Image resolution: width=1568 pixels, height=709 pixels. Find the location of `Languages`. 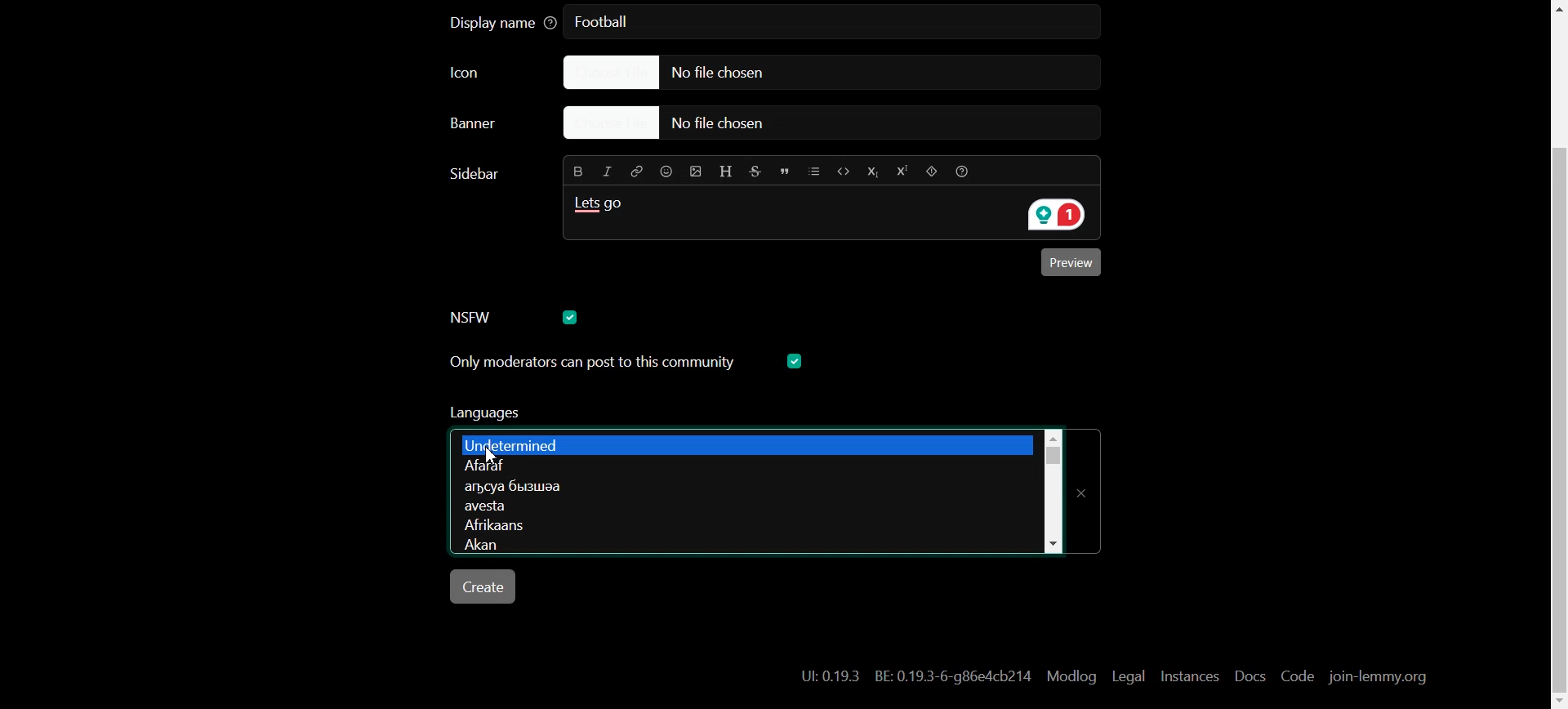

Languages is located at coordinates (743, 443).